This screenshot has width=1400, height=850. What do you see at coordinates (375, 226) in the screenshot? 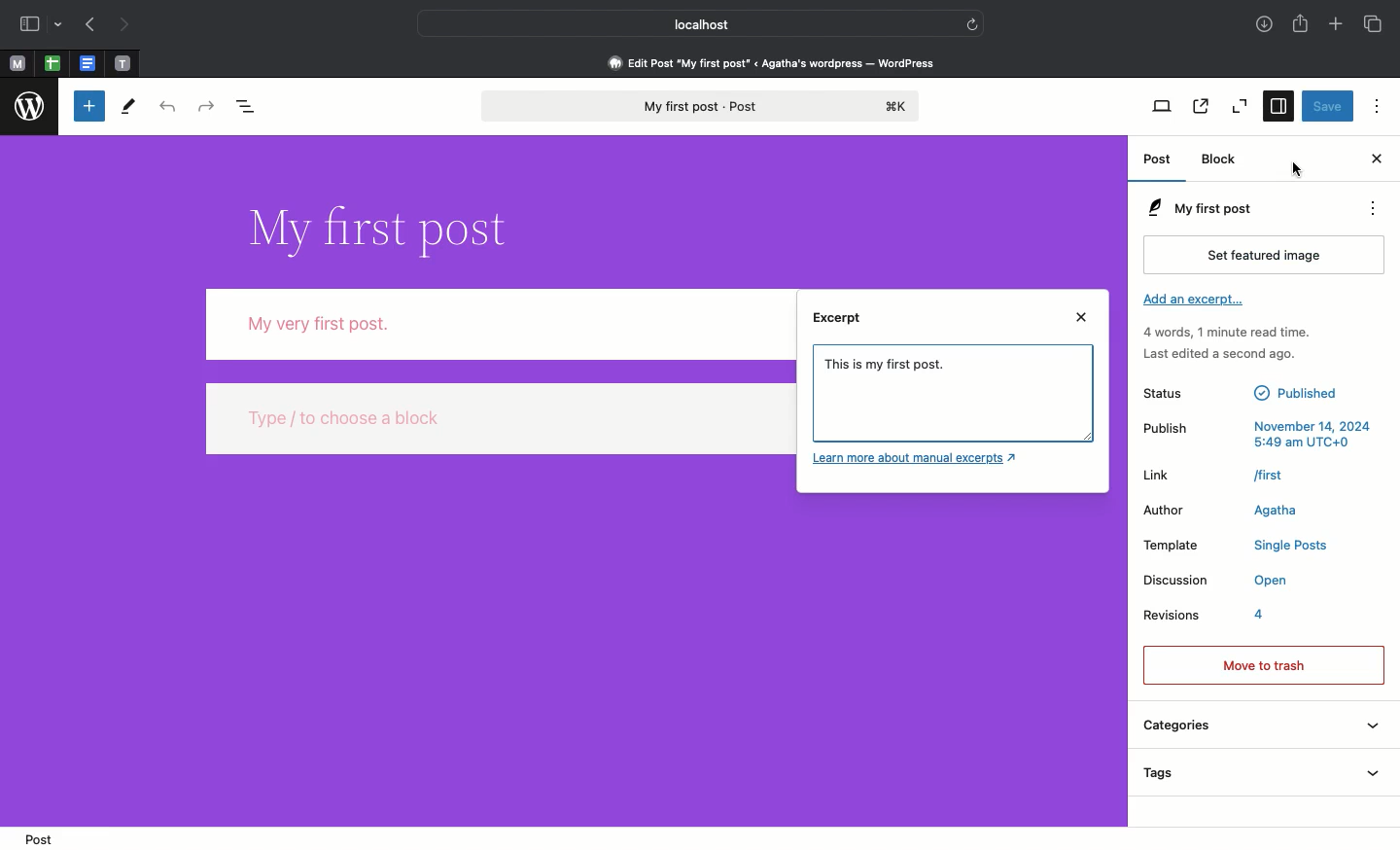
I see `Title` at bounding box center [375, 226].